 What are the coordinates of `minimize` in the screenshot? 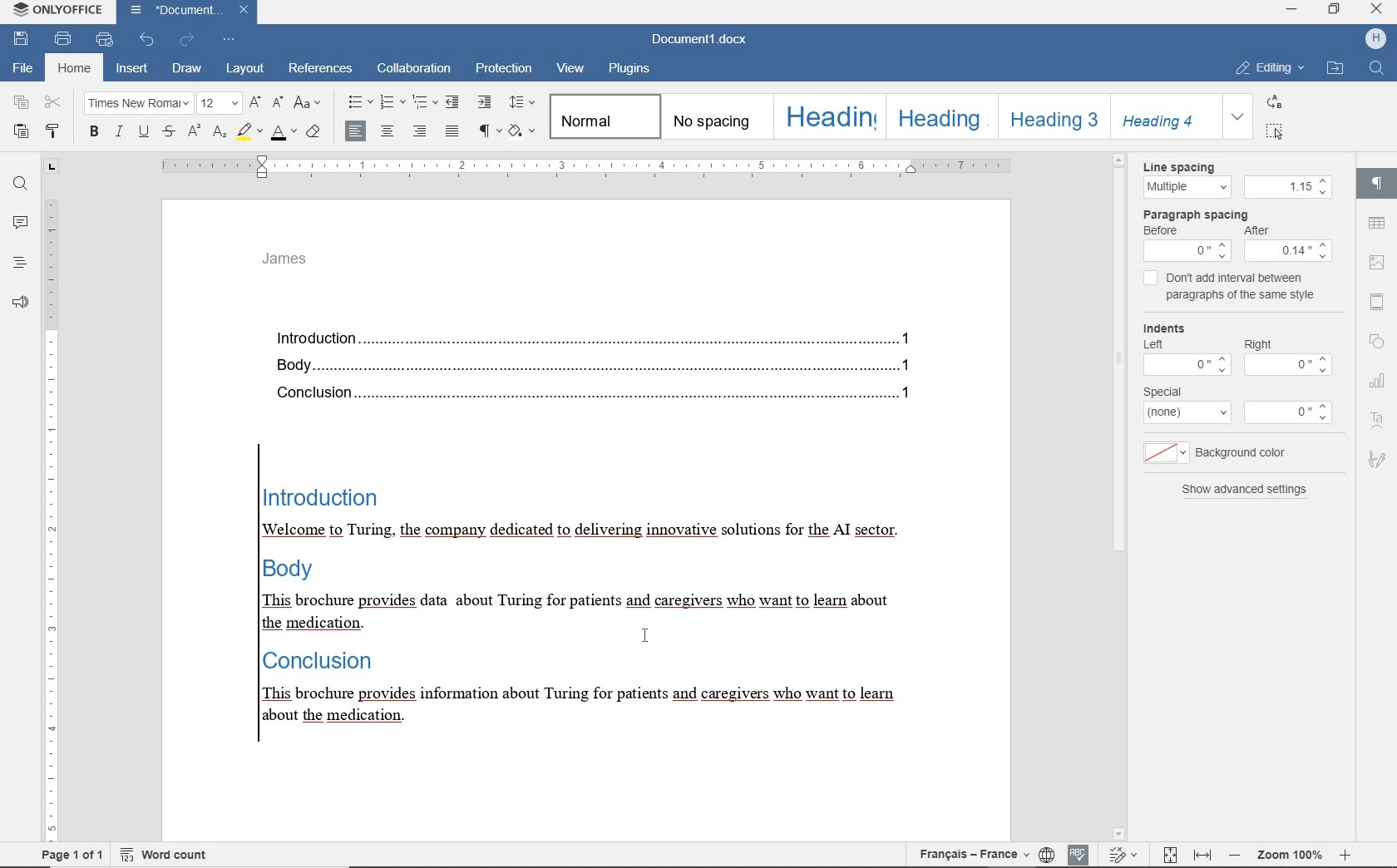 It's located at (1291, 9).